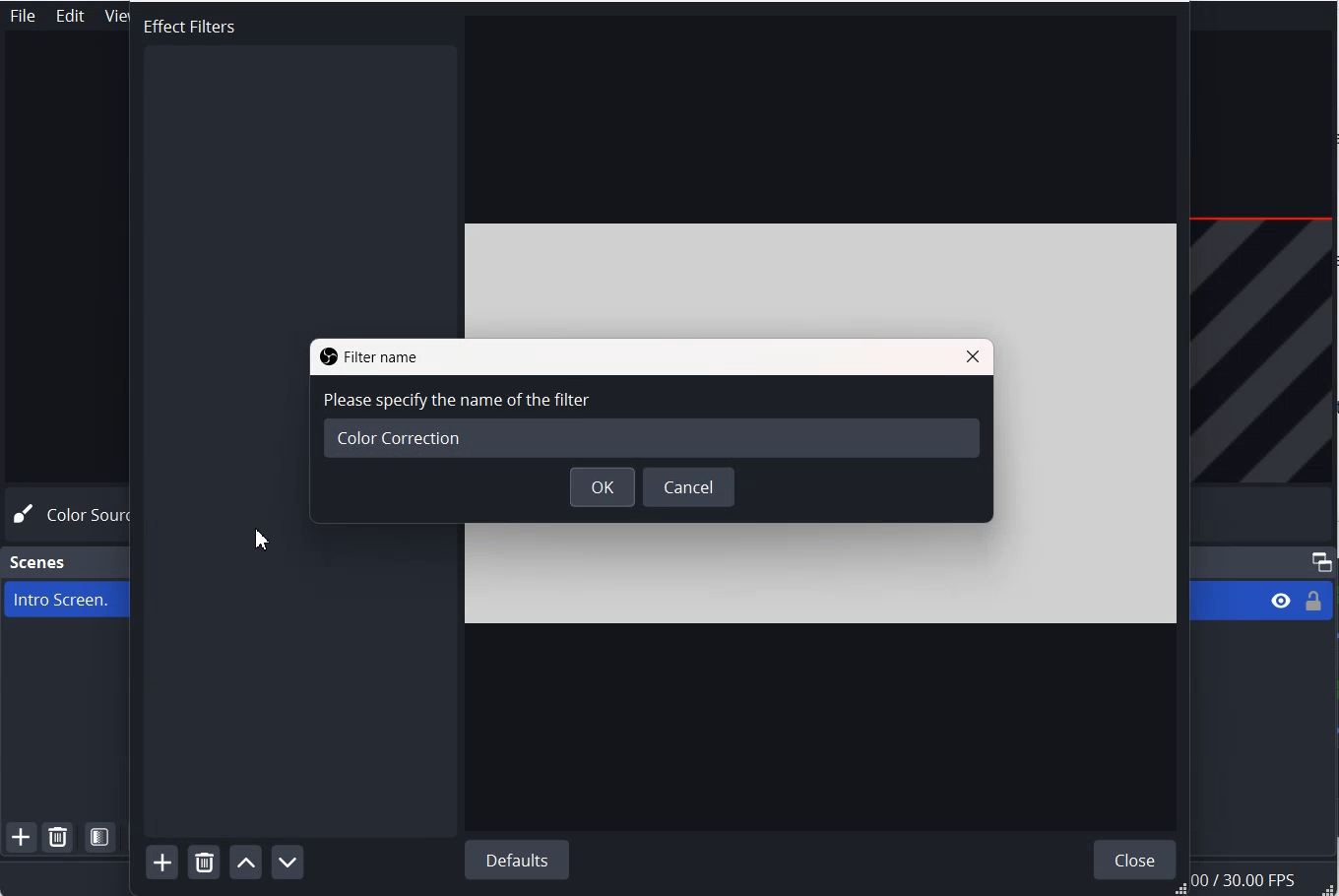 The height and width of the screenshot is (896, 1339). I want to click on Maximize, so click(1321, 561).